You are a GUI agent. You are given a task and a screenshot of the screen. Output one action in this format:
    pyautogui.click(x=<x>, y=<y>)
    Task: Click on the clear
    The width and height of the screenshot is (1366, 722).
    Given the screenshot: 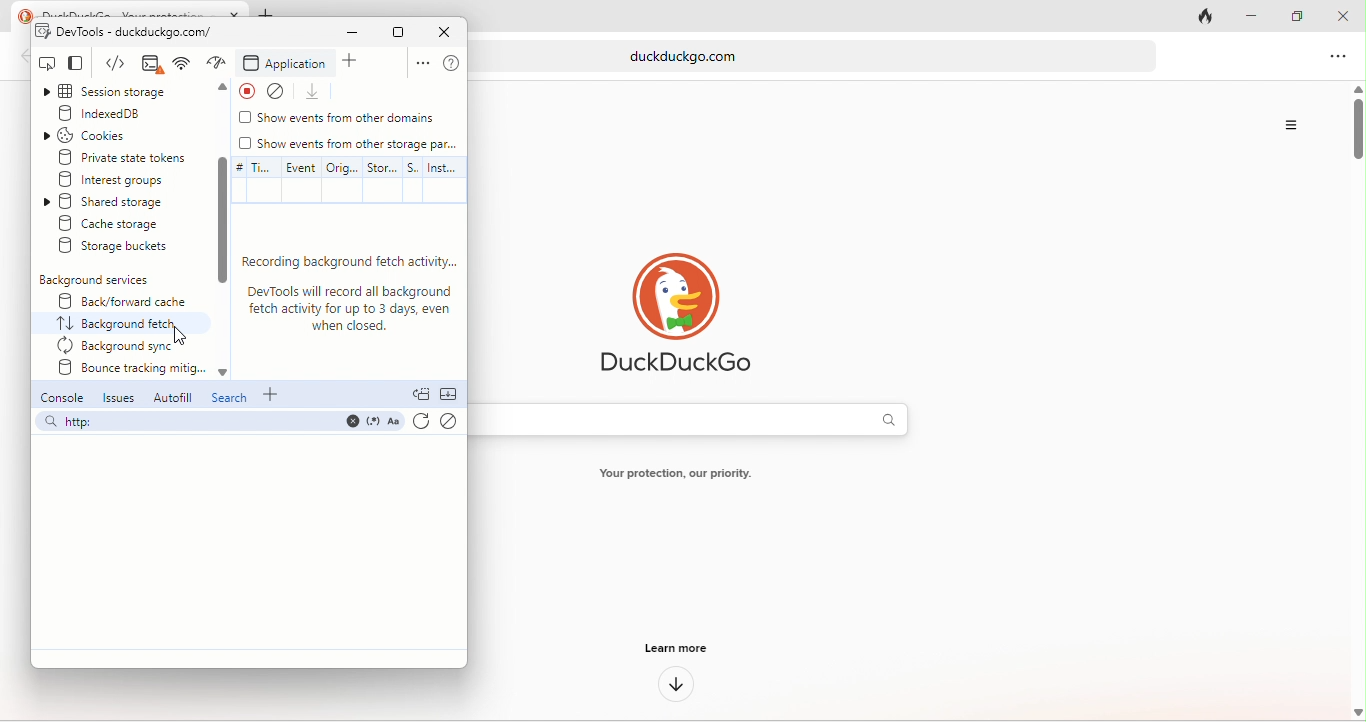 What is the action you would take?
    pyautogui.click(x=450, y=423)
    